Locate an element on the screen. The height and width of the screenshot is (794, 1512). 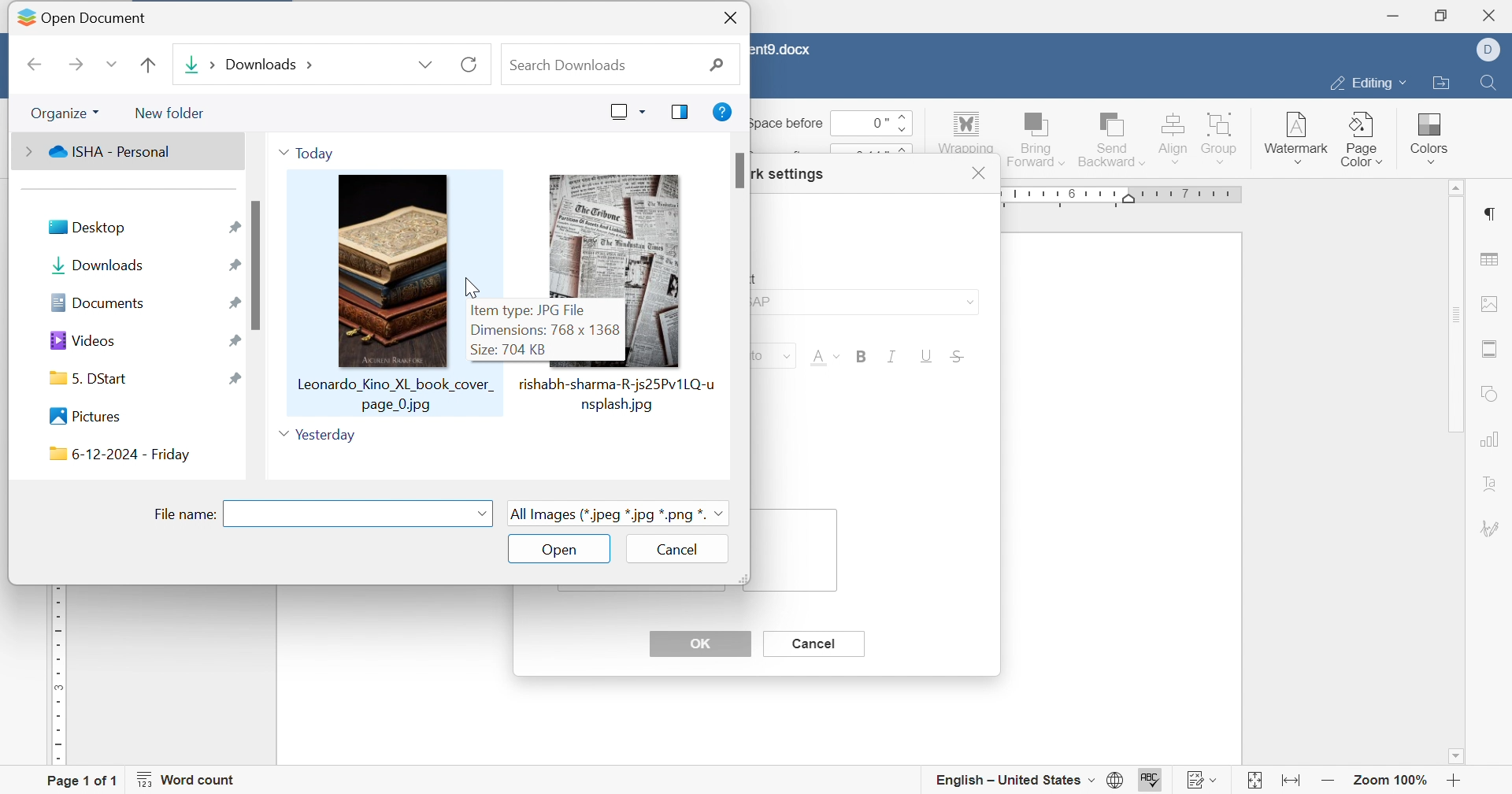
videos is located at coordinates (85, 341).